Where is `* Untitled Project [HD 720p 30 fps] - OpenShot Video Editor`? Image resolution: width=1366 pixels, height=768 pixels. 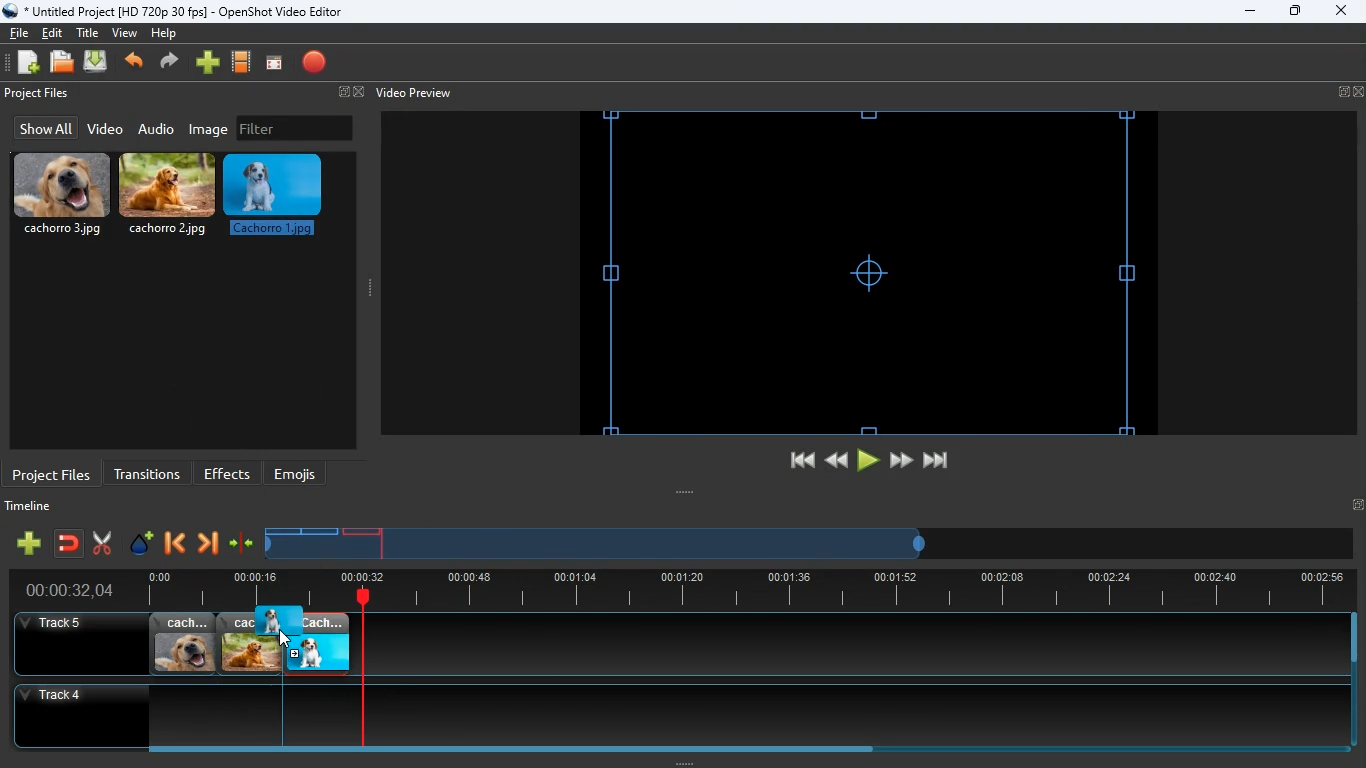 * Untitled Project [HD 720p 30 fps] - OpenShot Video Editor is located at coordinates (177, 11).